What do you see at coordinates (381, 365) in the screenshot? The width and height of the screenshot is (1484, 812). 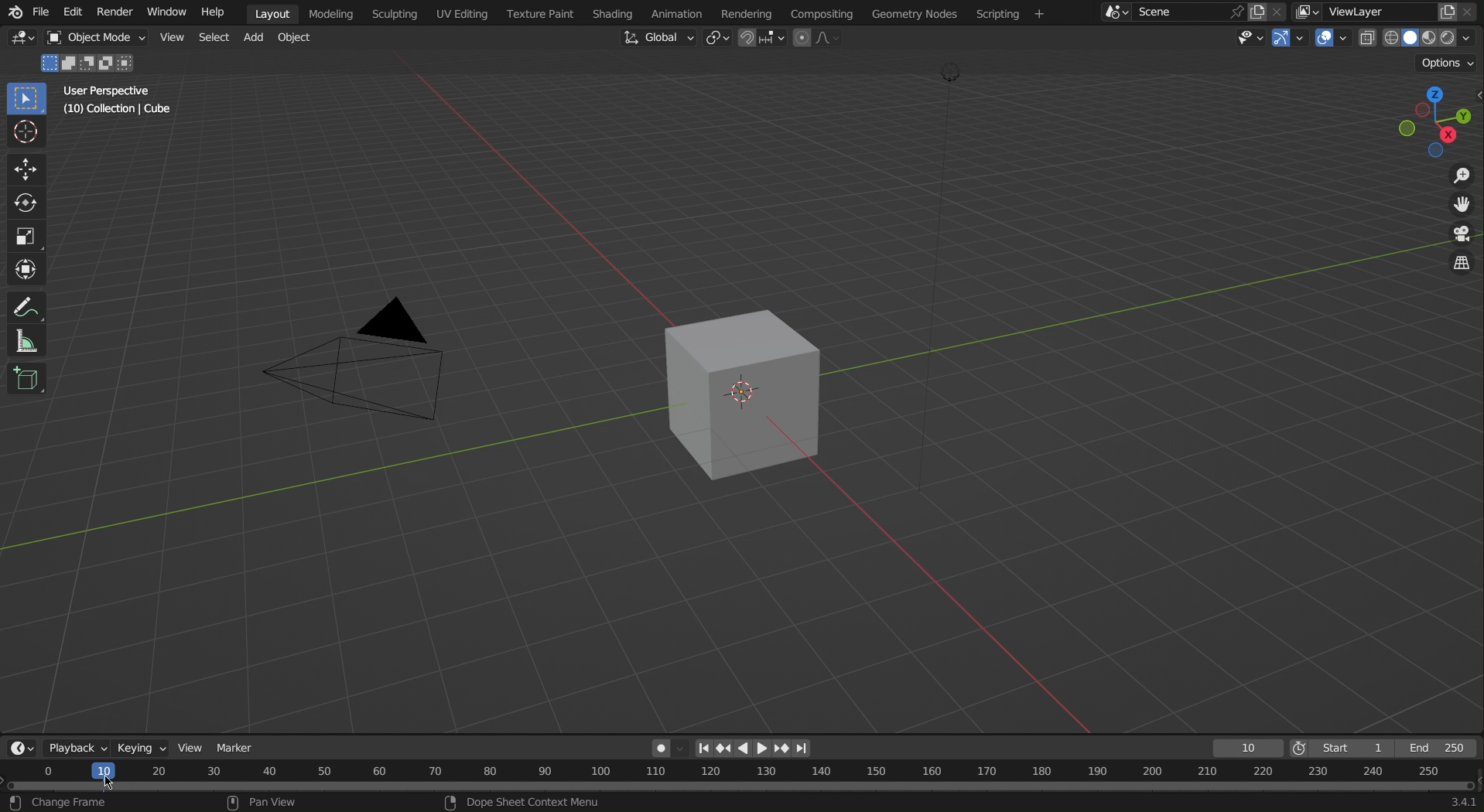 I see `Camera` at bounding box center [381, 365].